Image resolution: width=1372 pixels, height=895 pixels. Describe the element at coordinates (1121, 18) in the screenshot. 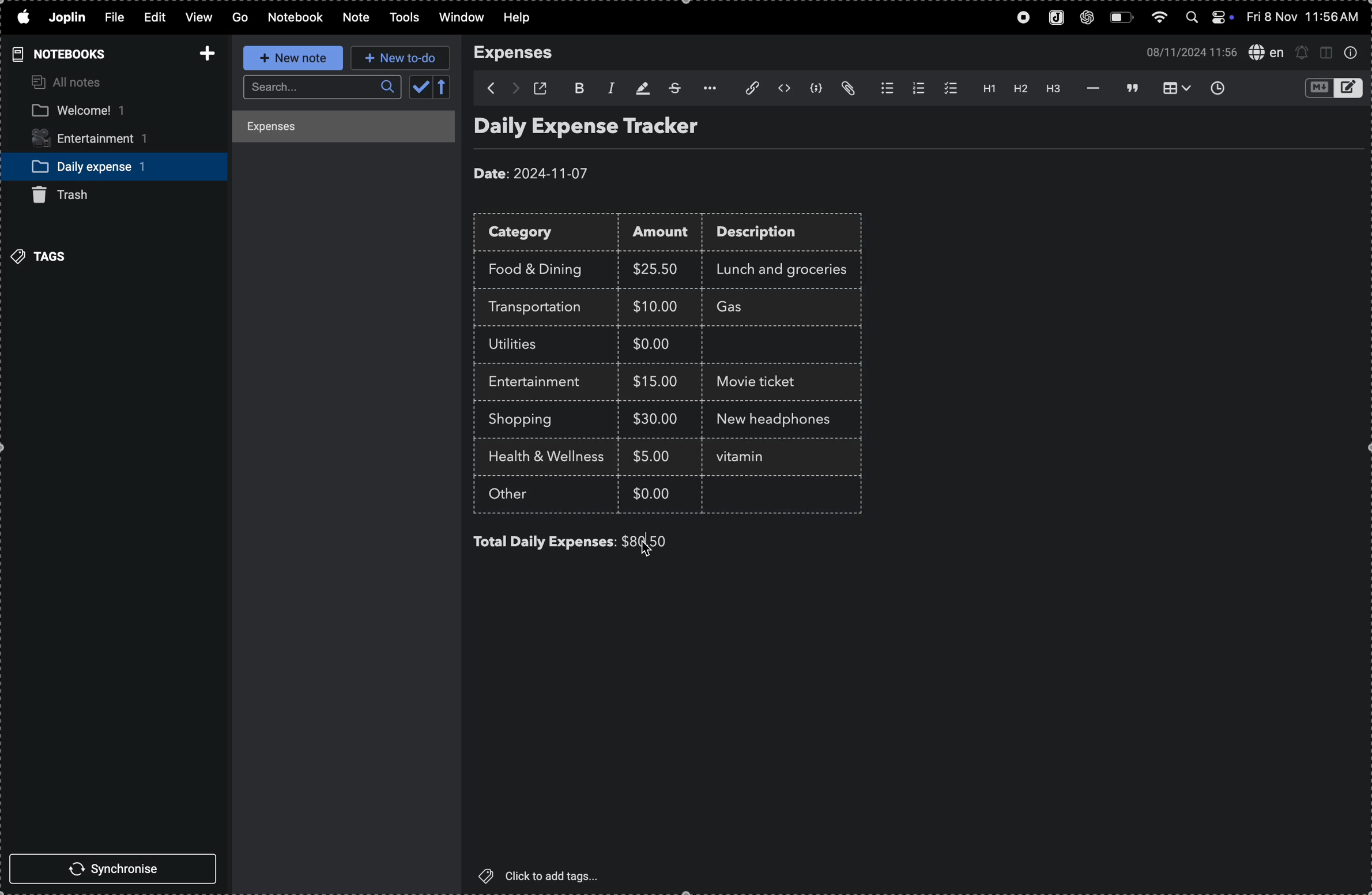

I see `battery` at that location.